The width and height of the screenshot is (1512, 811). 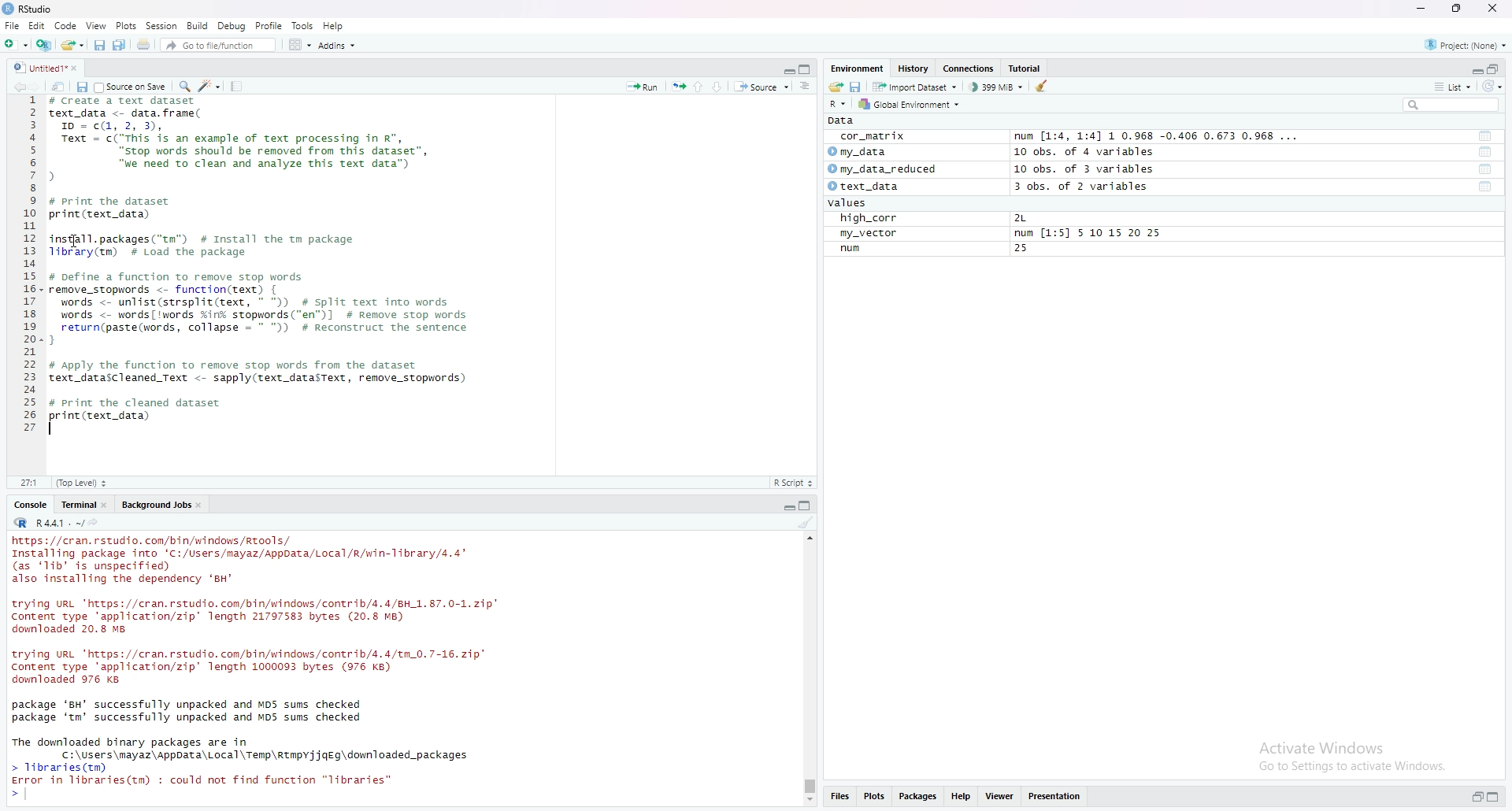 I want to click on collapse, so click(x=1497, y=797).